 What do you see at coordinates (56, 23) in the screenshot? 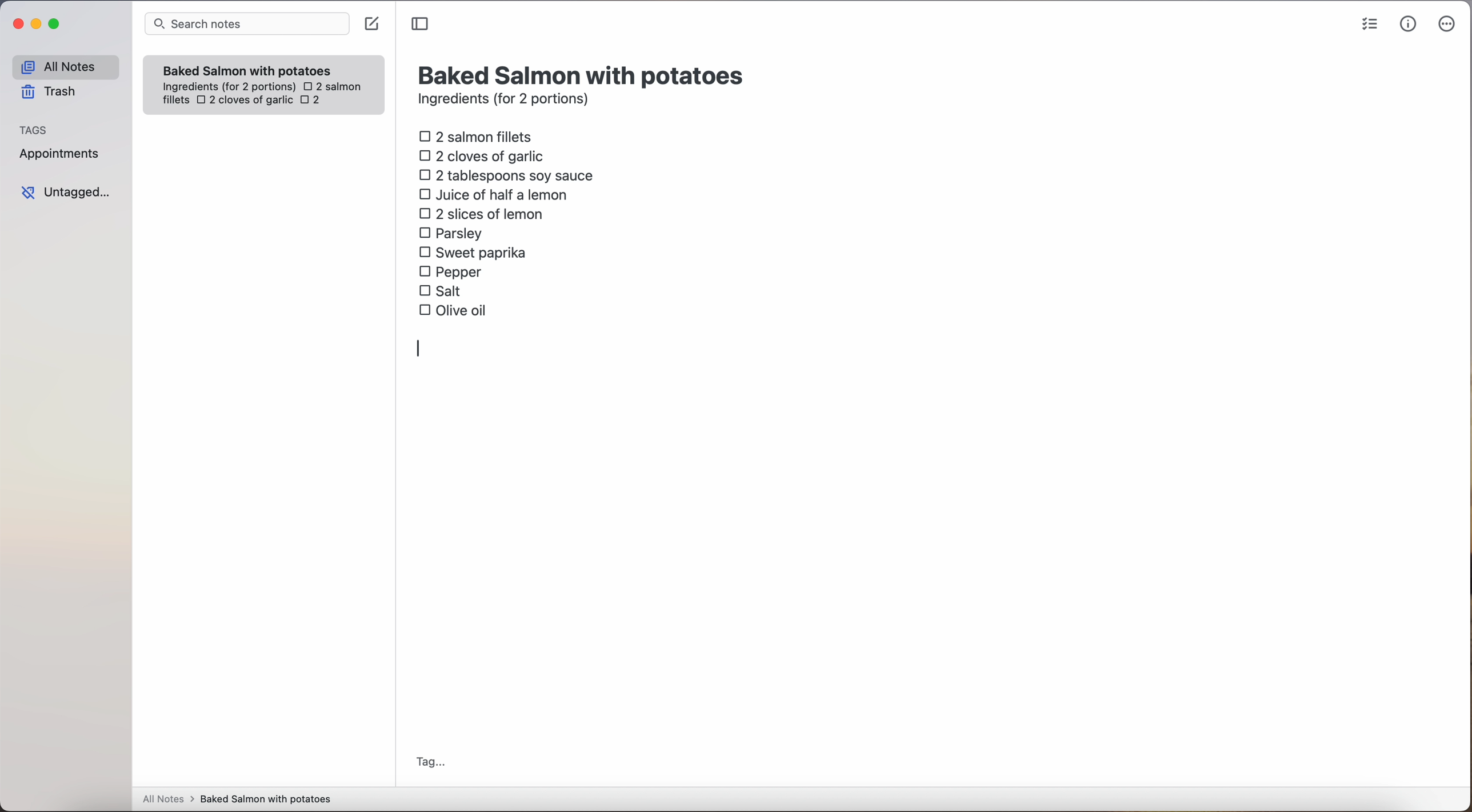
I see `maximize` at bounding box center [56, 23].